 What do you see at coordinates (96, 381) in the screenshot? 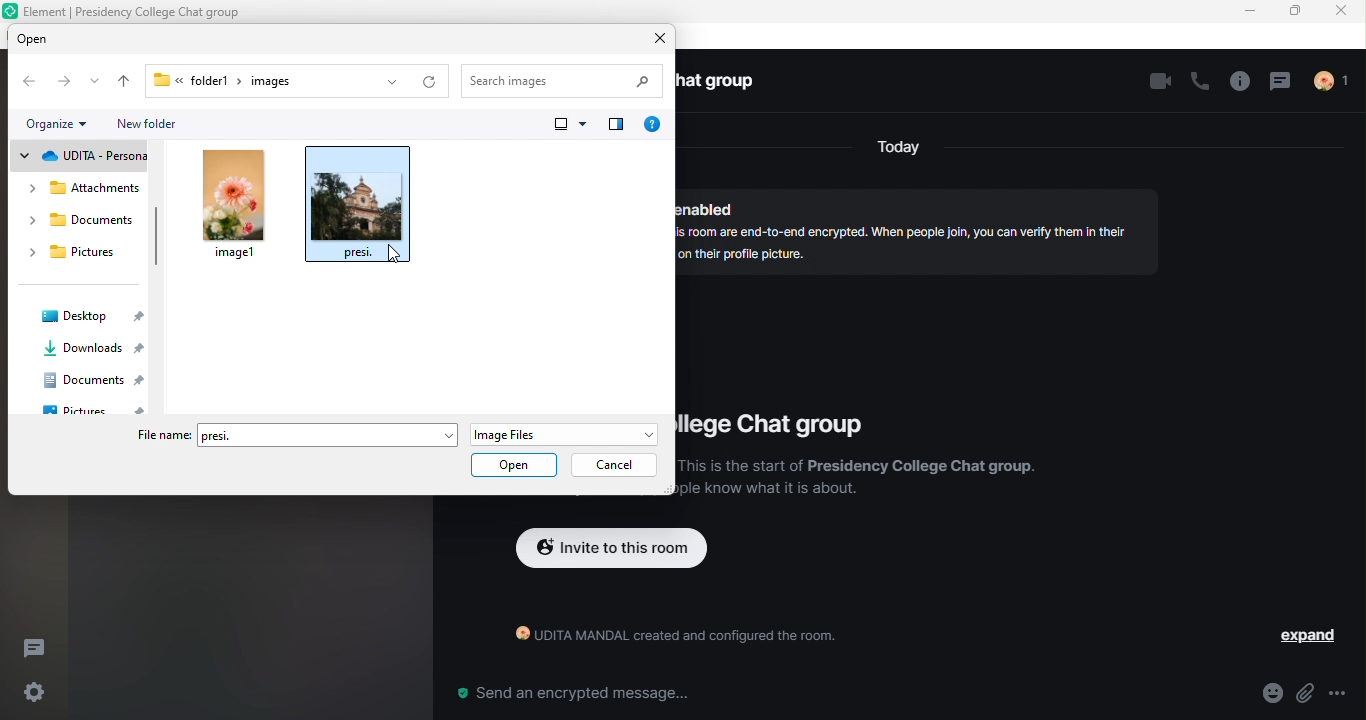
I see `documents` at bounding box center [96, 381].